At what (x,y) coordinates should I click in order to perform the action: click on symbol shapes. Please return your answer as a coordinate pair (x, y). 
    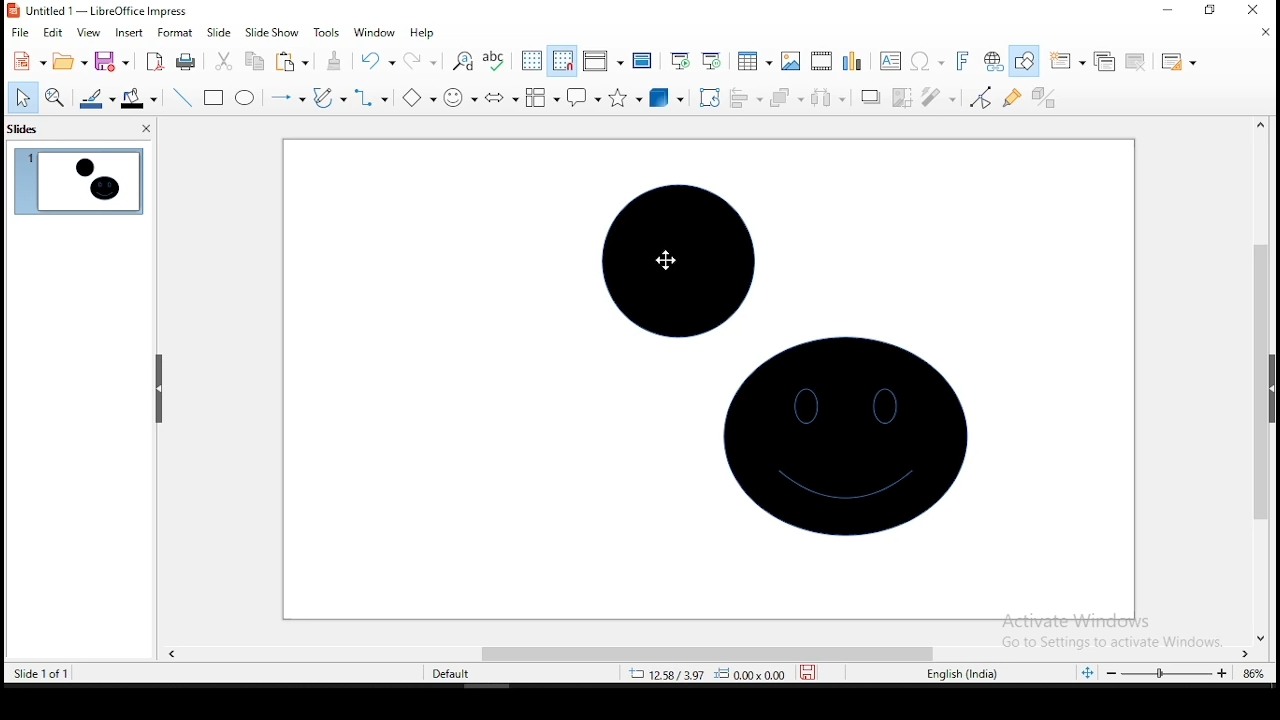
    Looking at the image, I should click on (458, 97).